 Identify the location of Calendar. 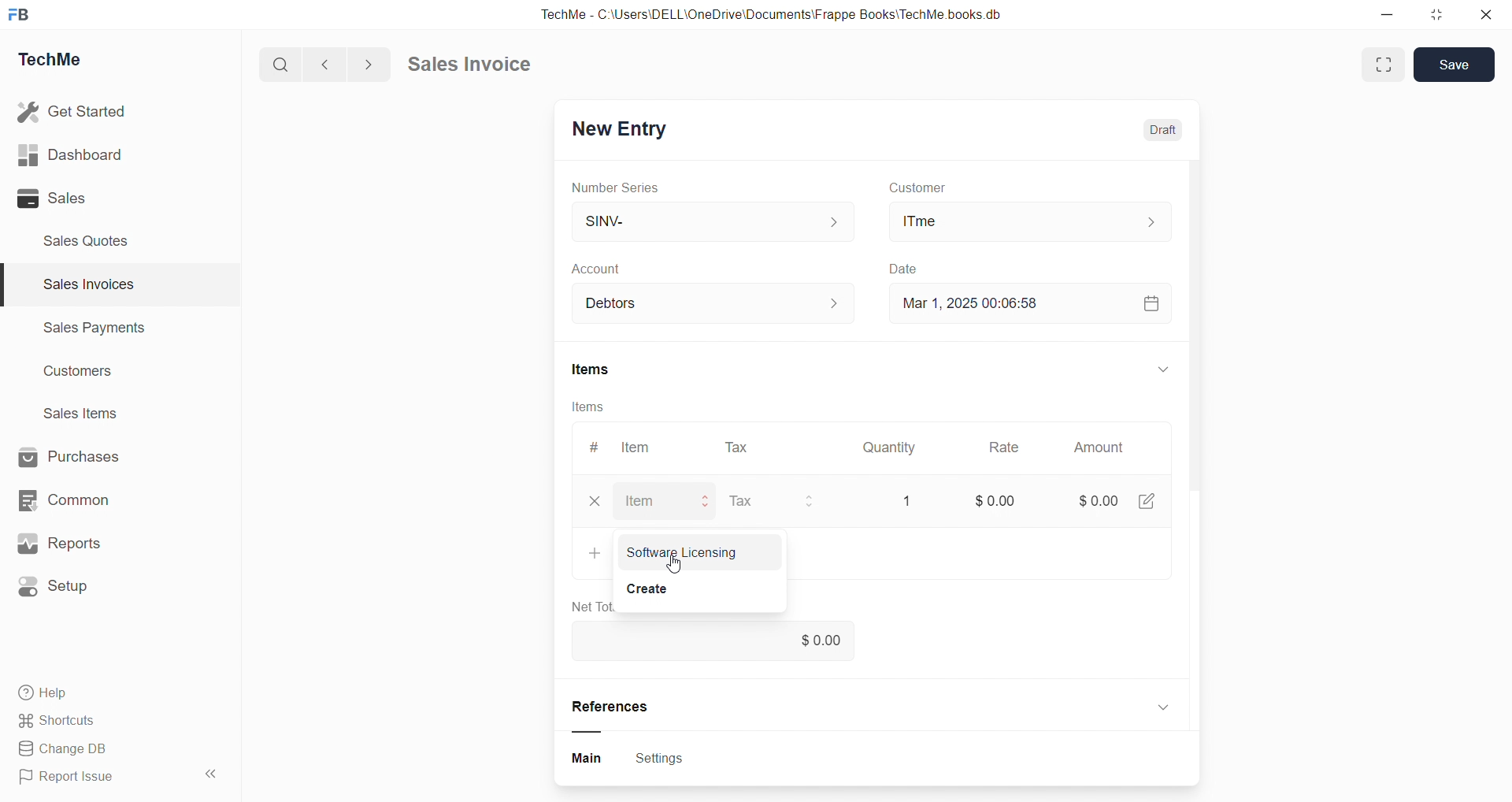
(1150, 302).